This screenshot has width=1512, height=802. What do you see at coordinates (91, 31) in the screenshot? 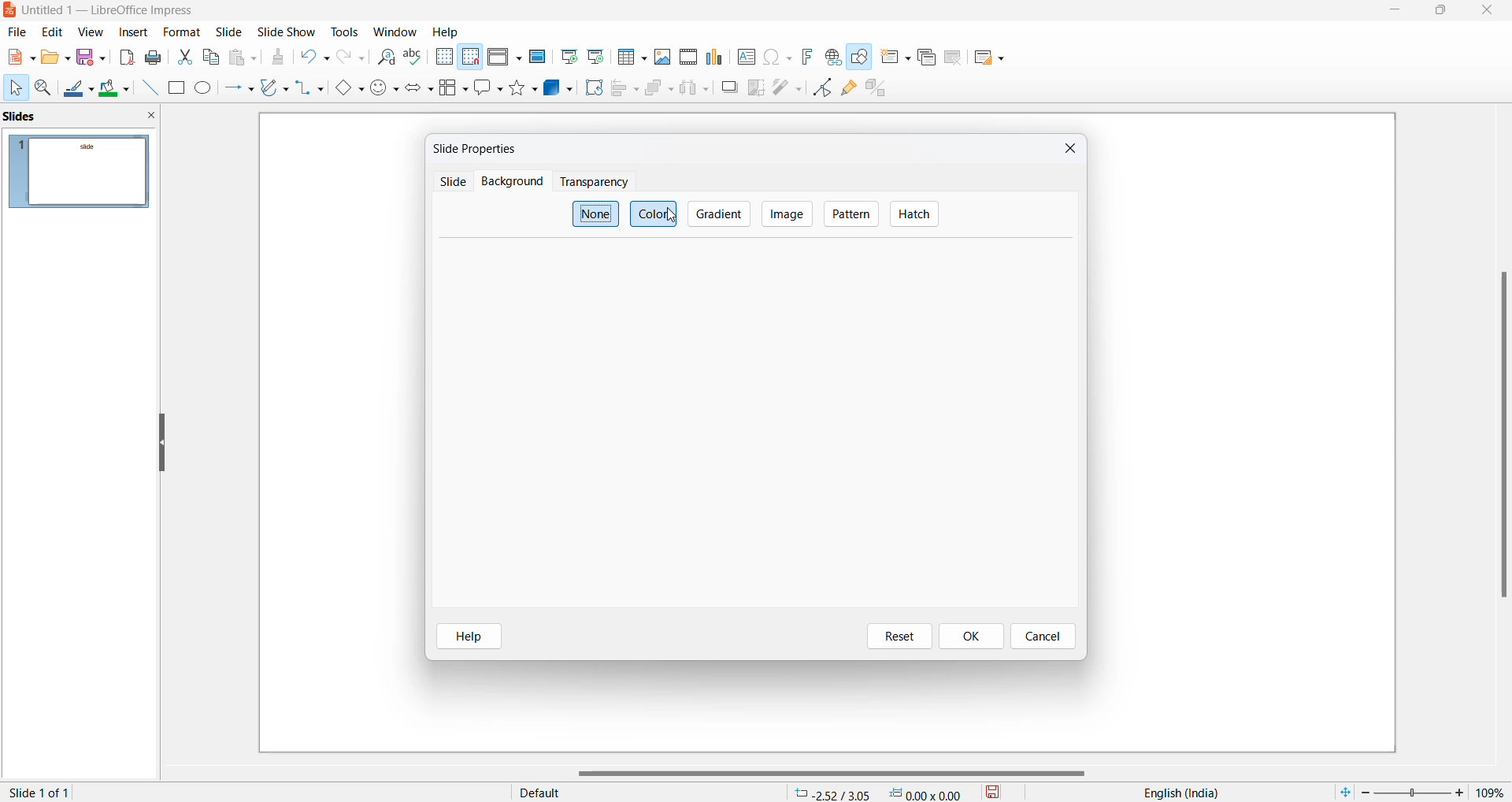
I see `view navigation` at bounding box center [91, 31].